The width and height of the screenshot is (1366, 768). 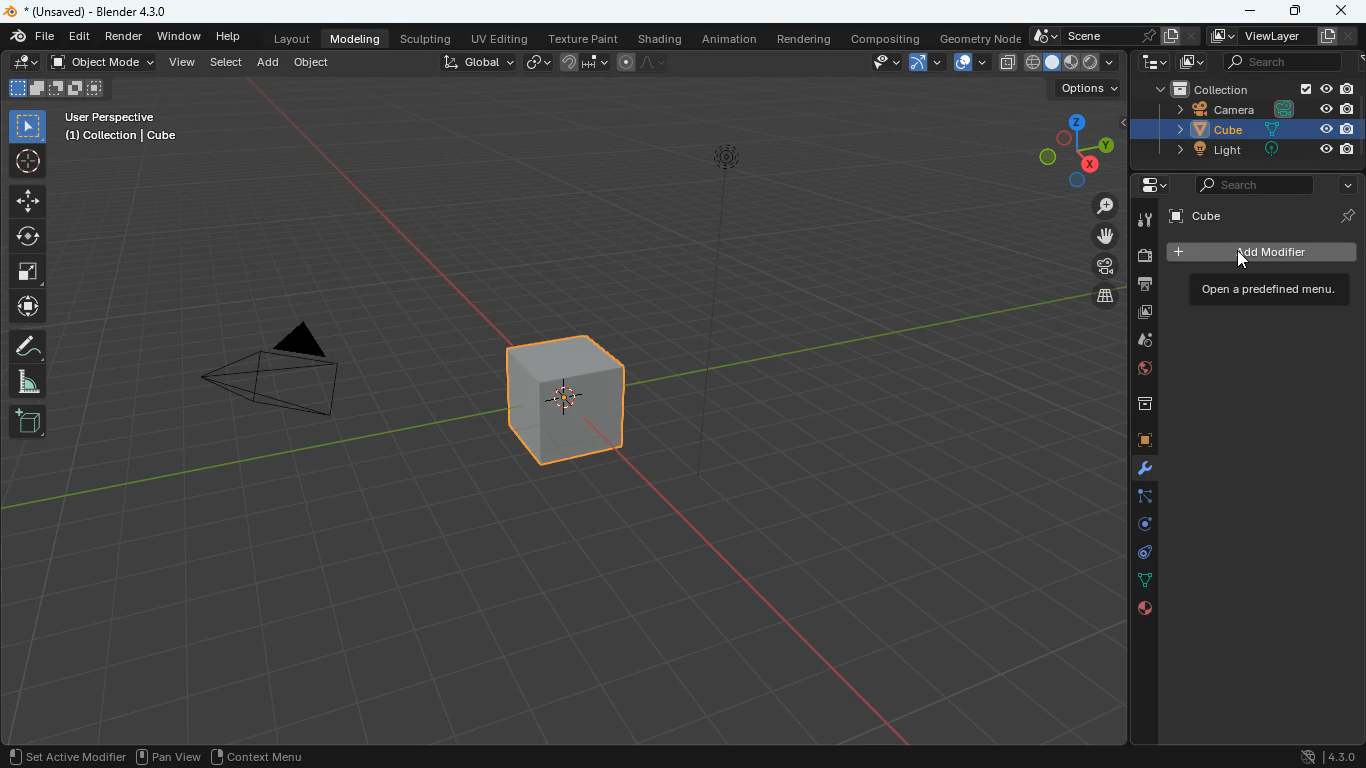 What do you see at coordinates (228, 63) in the screenshot?
I see `select` at bounding box center [228, 63].